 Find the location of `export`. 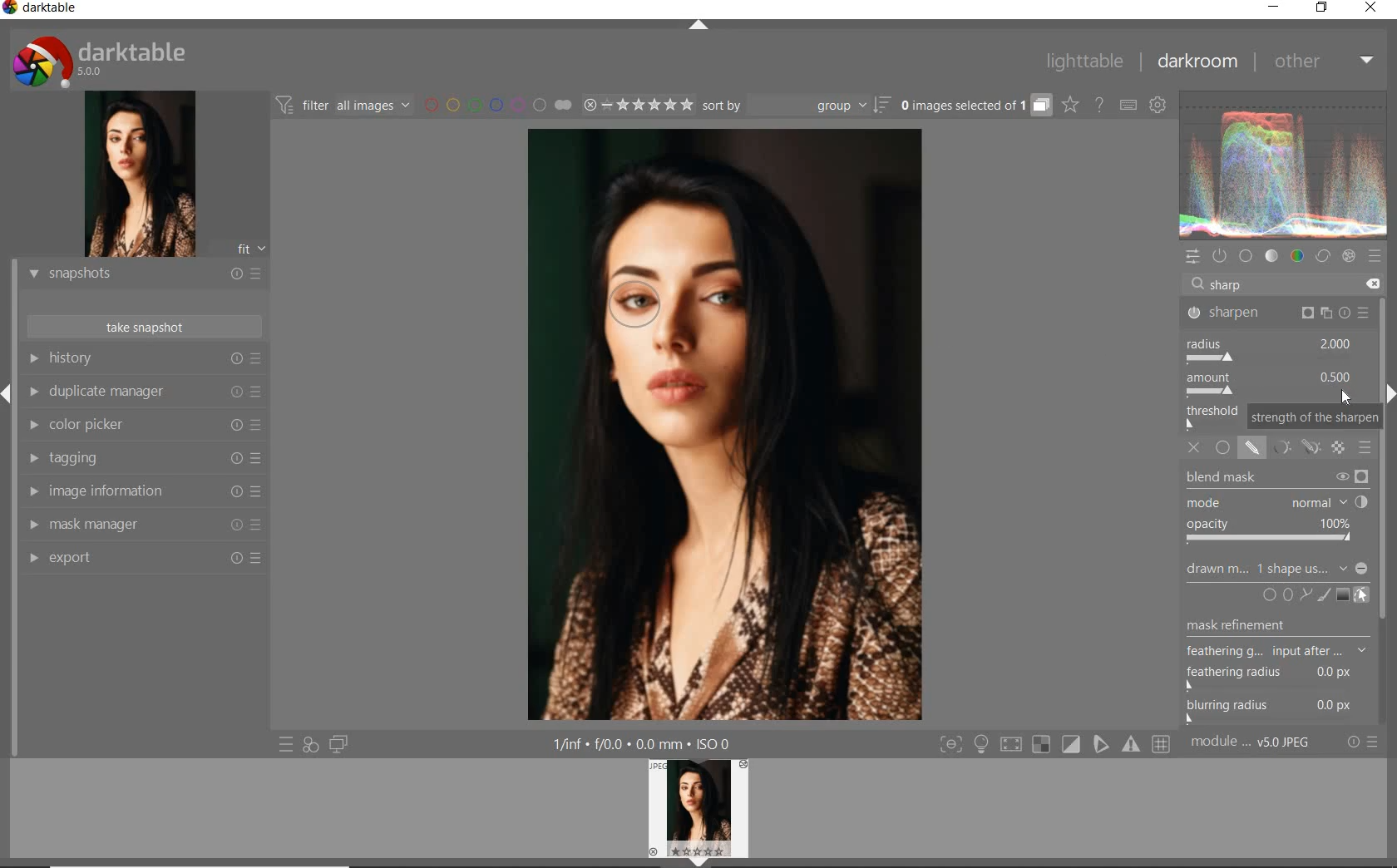

export is located at coordinates (143, 560).